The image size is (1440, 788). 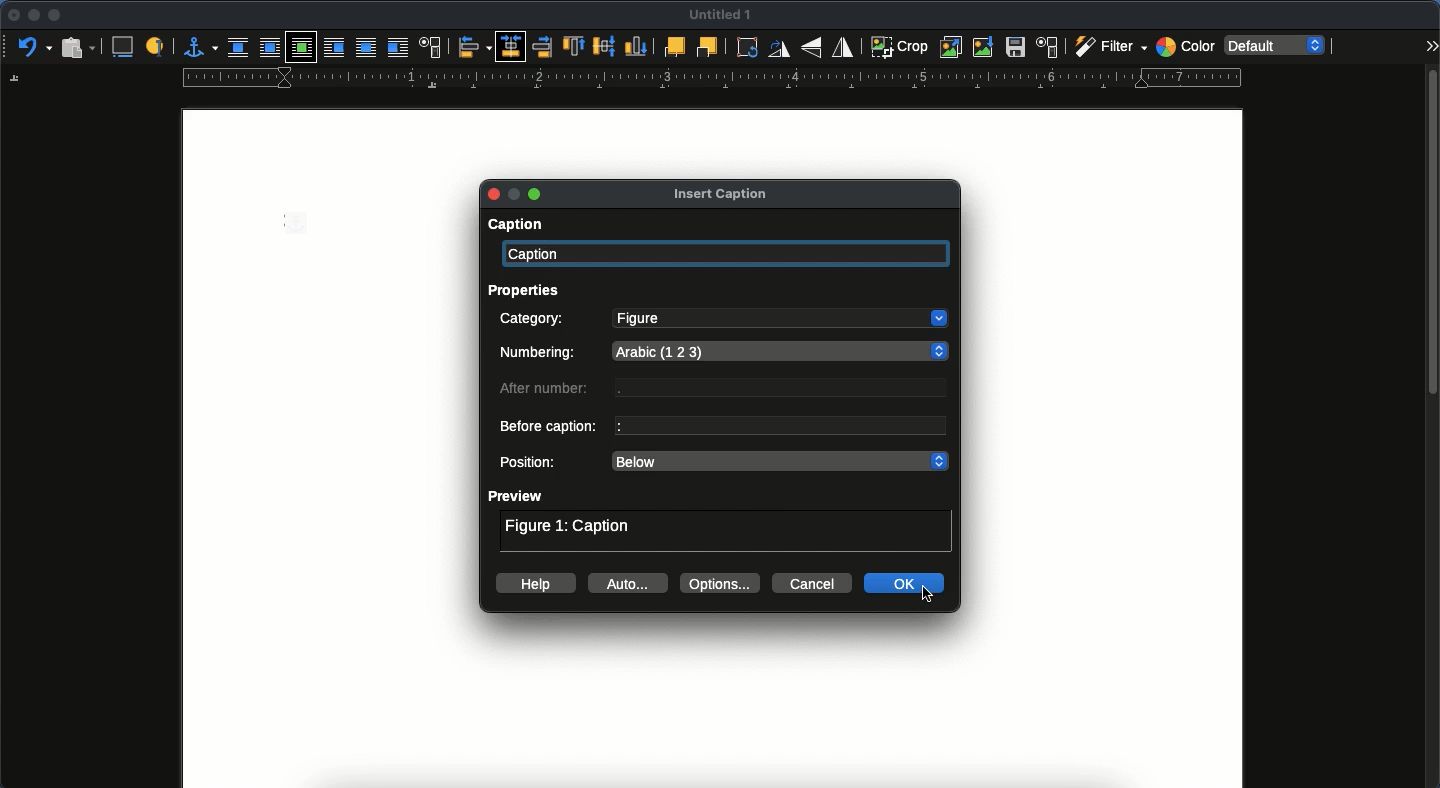 I want to click on flip horizontally , so click(x=842, y=47).